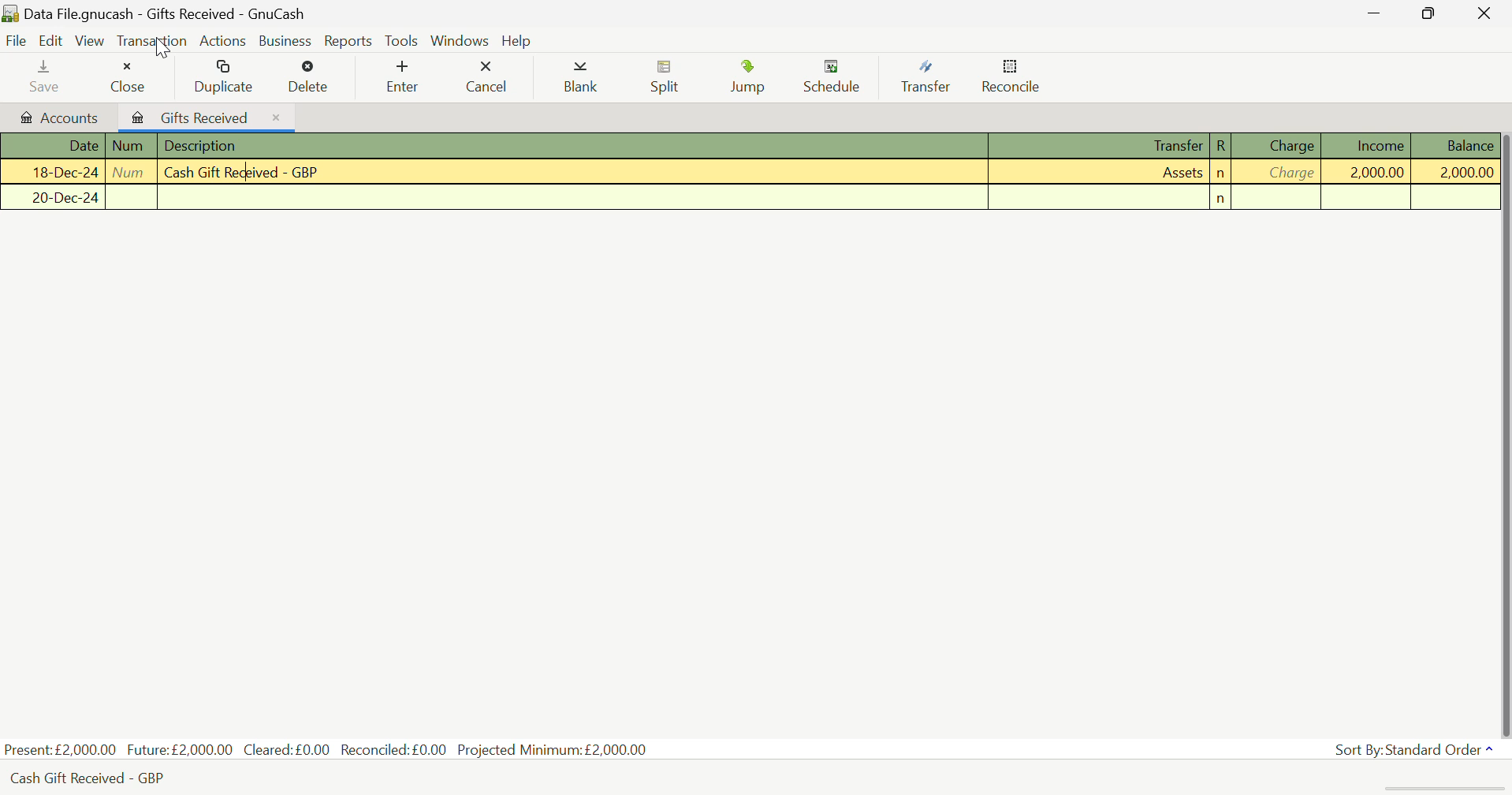 The height and width of the screenshot is (795, 1512). Describe the element at coordinates (583, 78) in the screenshot. I see `Blank` at that location.